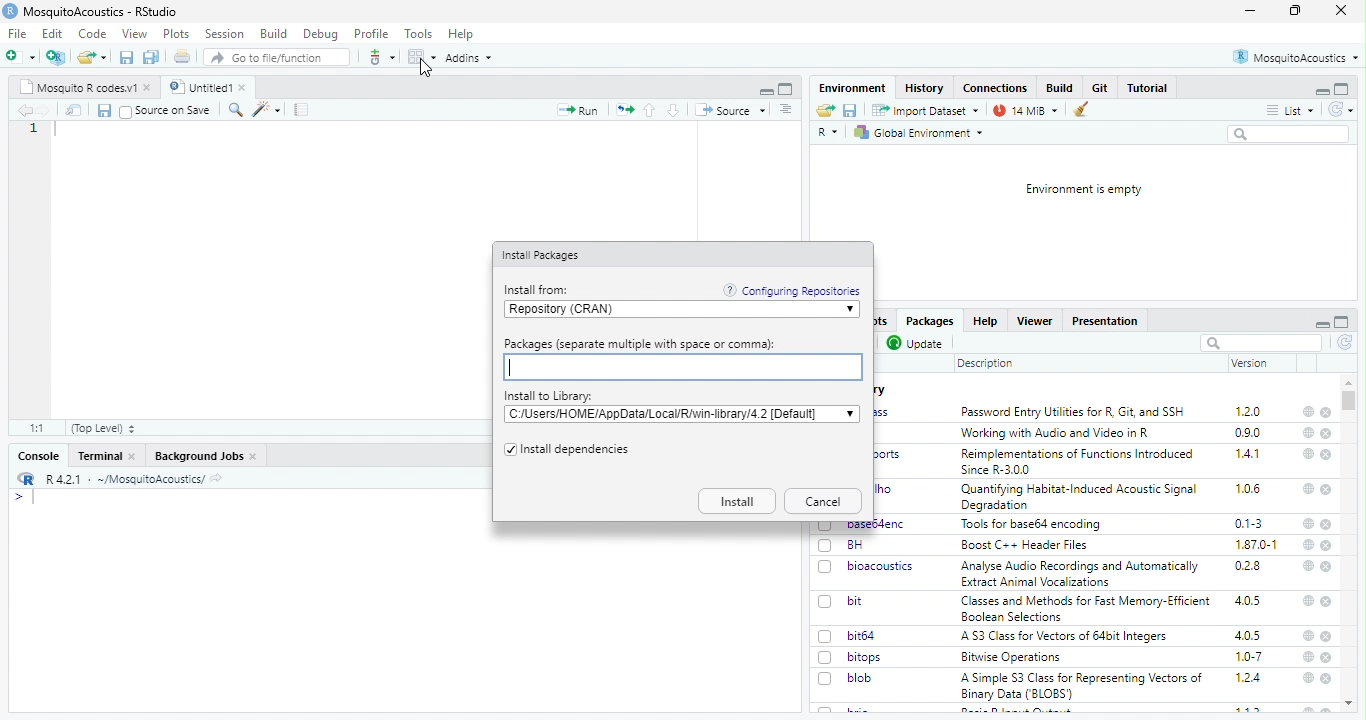 Image resolution: width=1366 pixels, height=720 pixels. I want to click on Addins , so click(468, 58).